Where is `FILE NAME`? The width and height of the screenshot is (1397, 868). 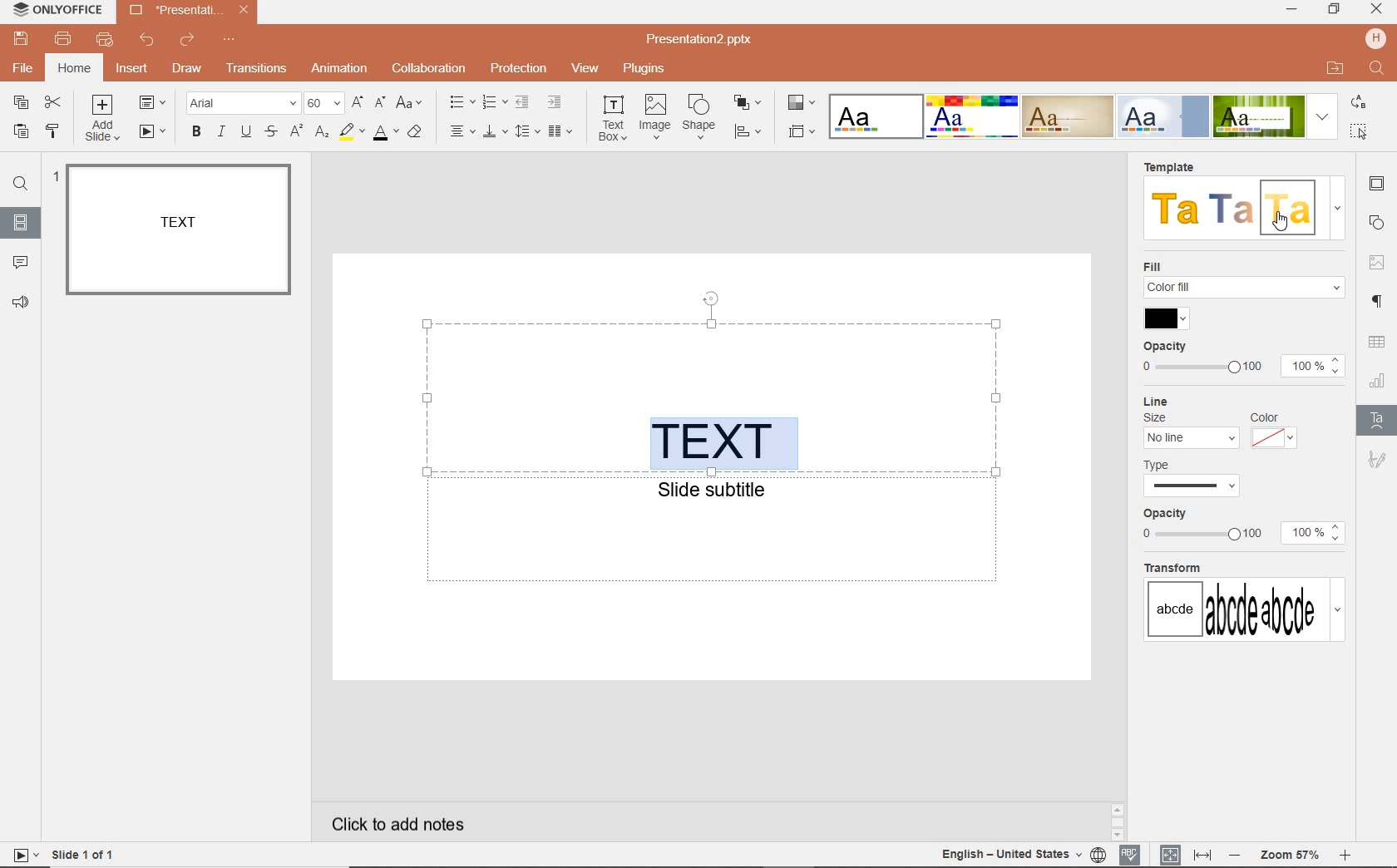 FILE NAME is located at coordinates (704, 39).